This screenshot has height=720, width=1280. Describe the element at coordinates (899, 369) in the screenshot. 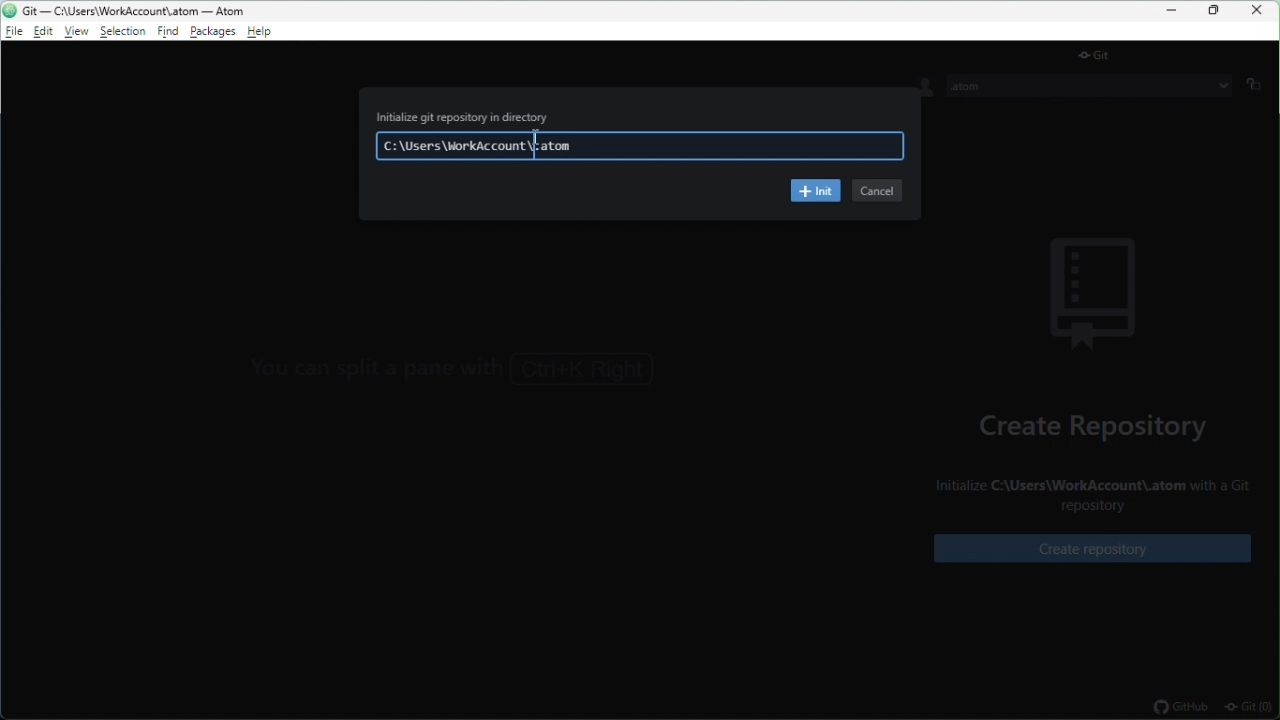

I see `>` at that location.